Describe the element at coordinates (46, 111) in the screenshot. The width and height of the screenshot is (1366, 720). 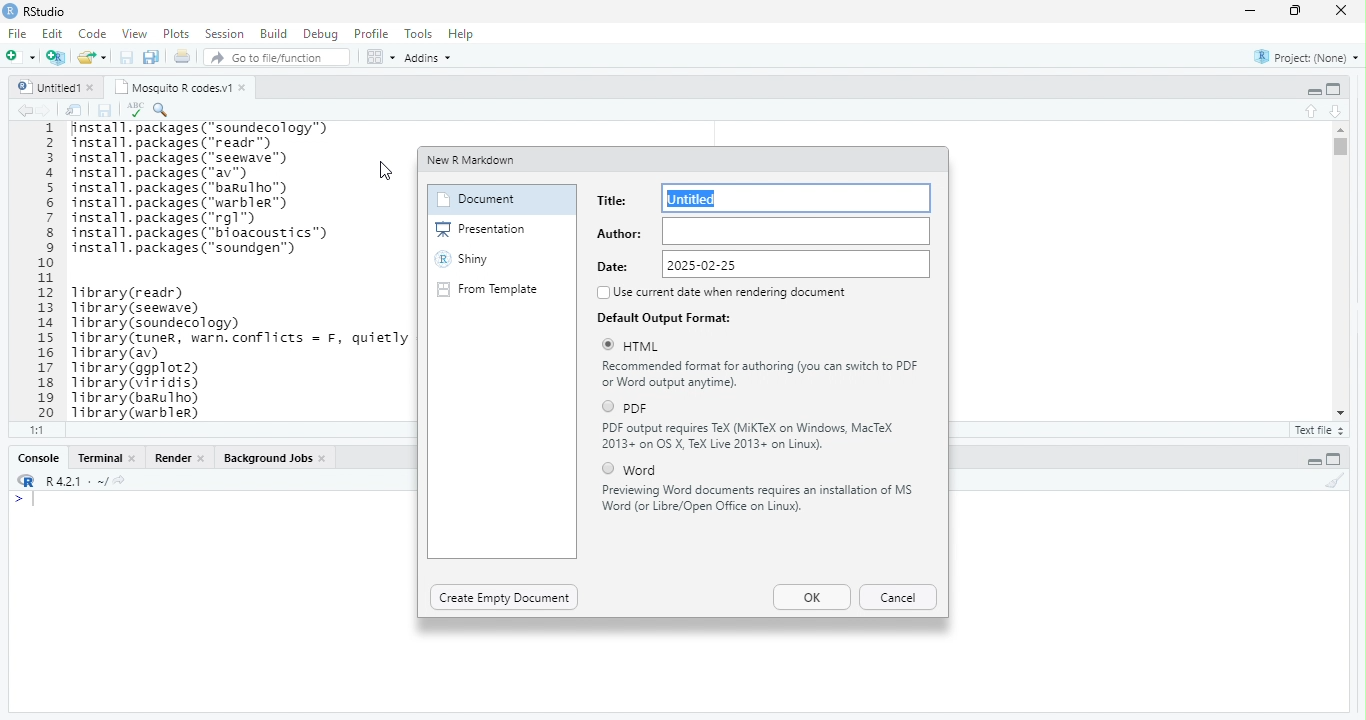
I see `Forward ` at that location.